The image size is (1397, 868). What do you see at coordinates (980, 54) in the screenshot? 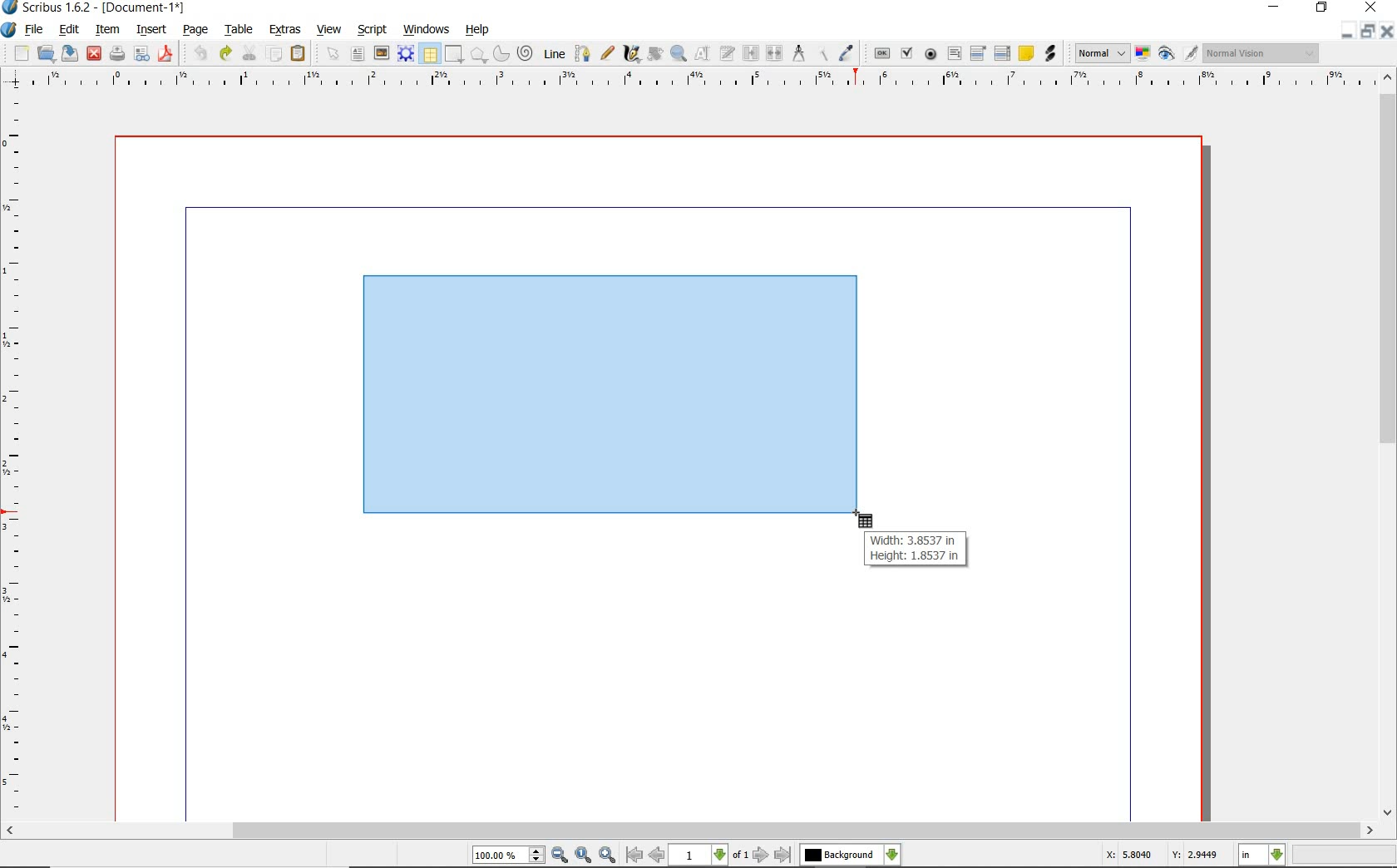
I see `pdf combo box` at bounding box center [980, 54].